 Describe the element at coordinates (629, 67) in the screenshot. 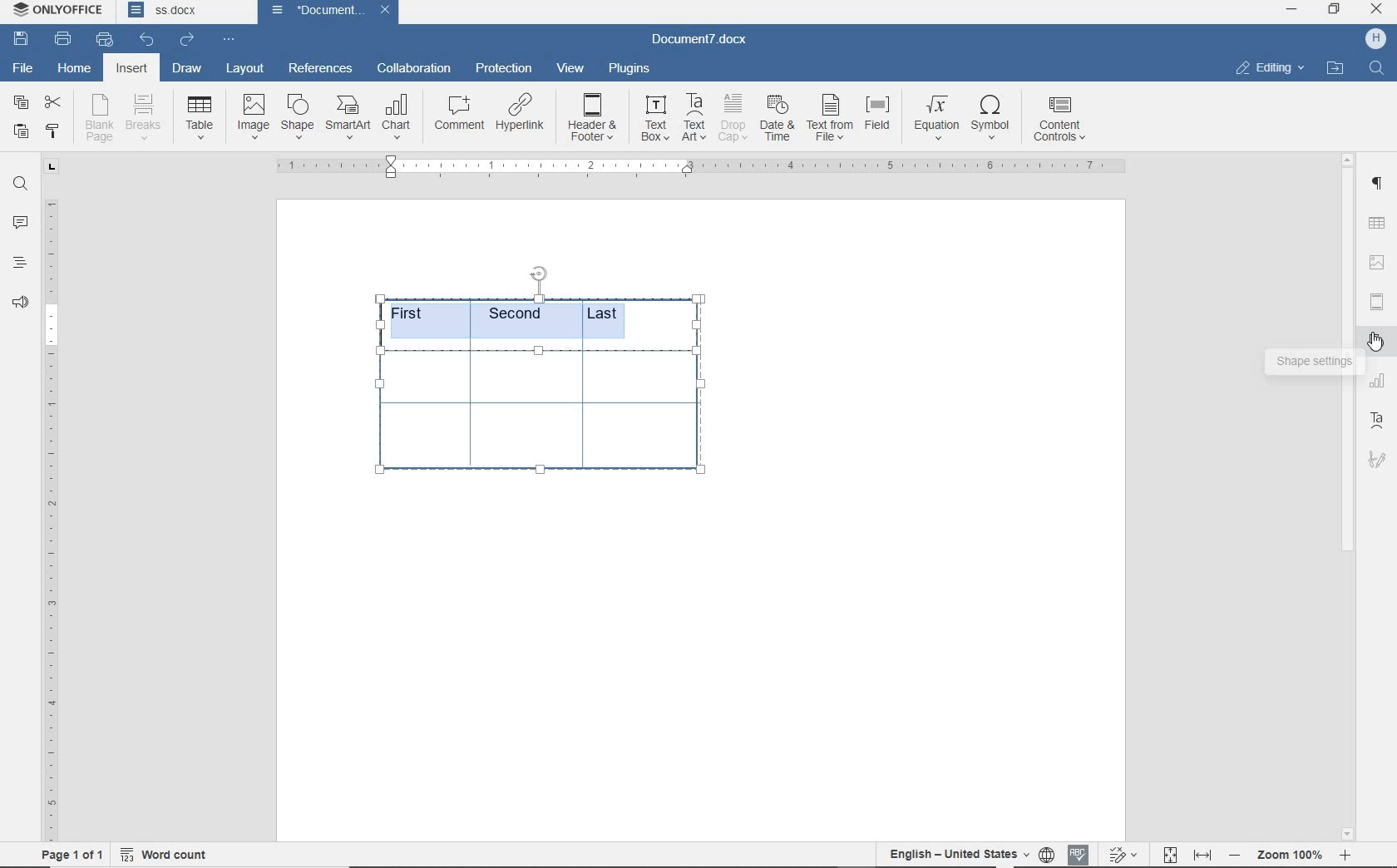

I see `plugins` at that location.